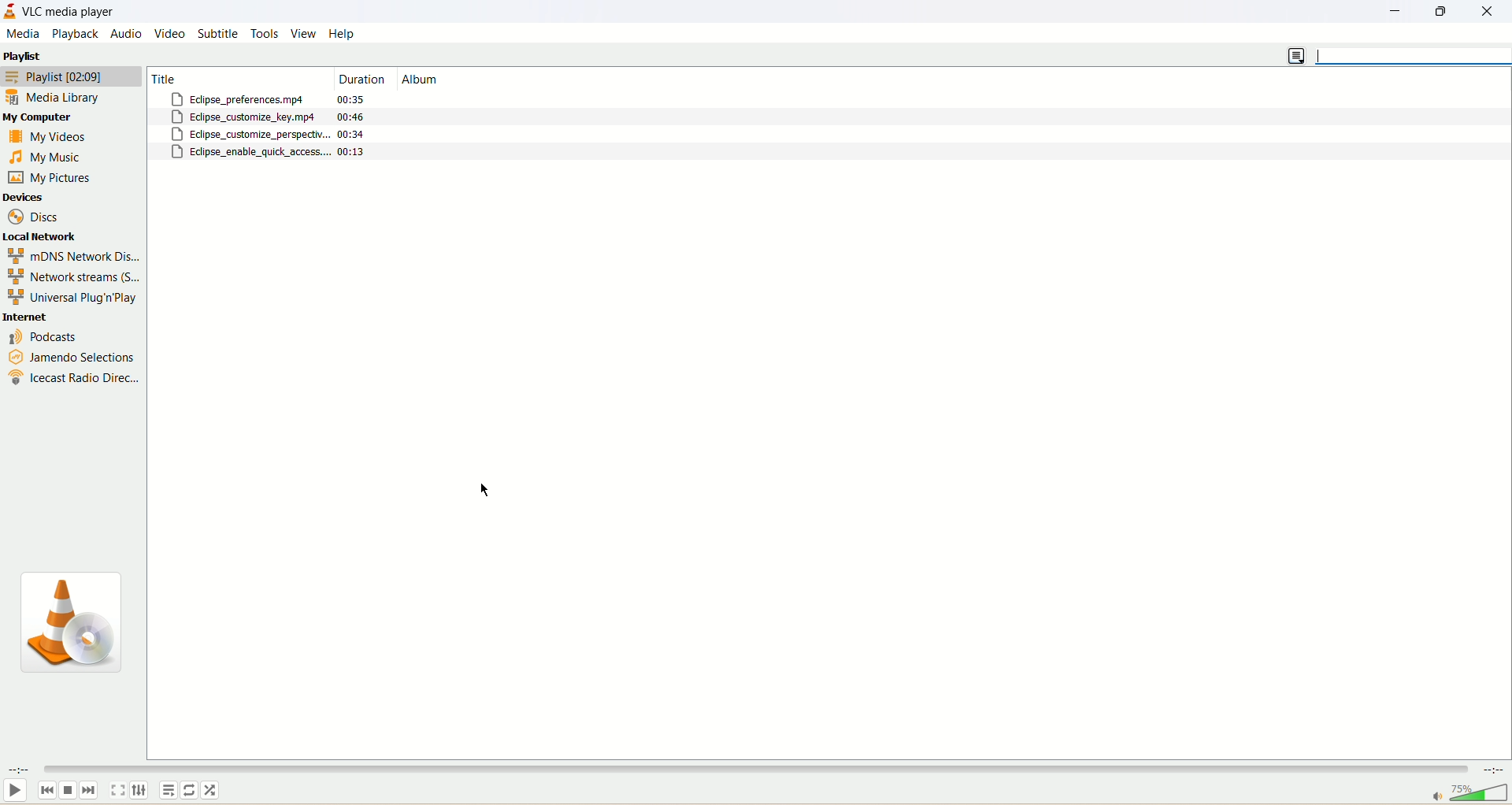 This screenshot has height=805, width=1512. What do you see at coordinates (361, 80) in the screenshot?
I see `duration` at bounding box center [361, 80].